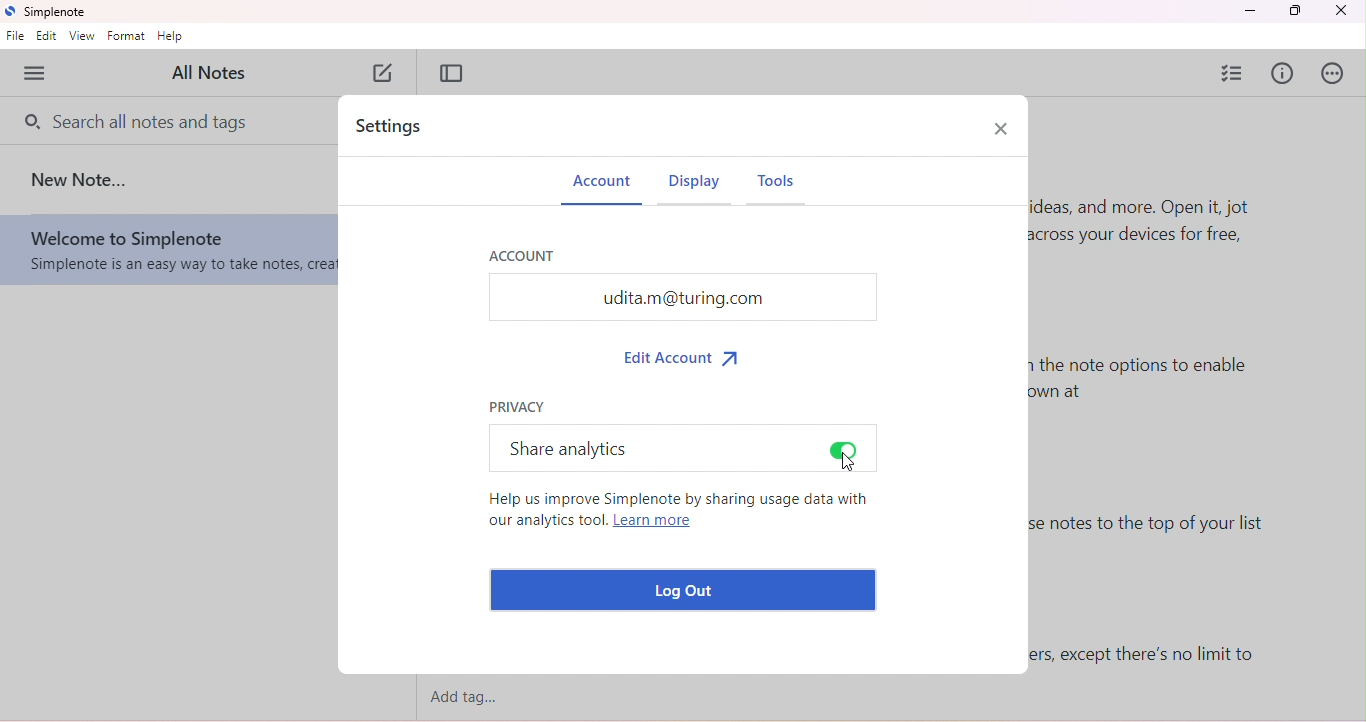 The image size is (1366, 722). I want to click on info, so click(1284, 75).